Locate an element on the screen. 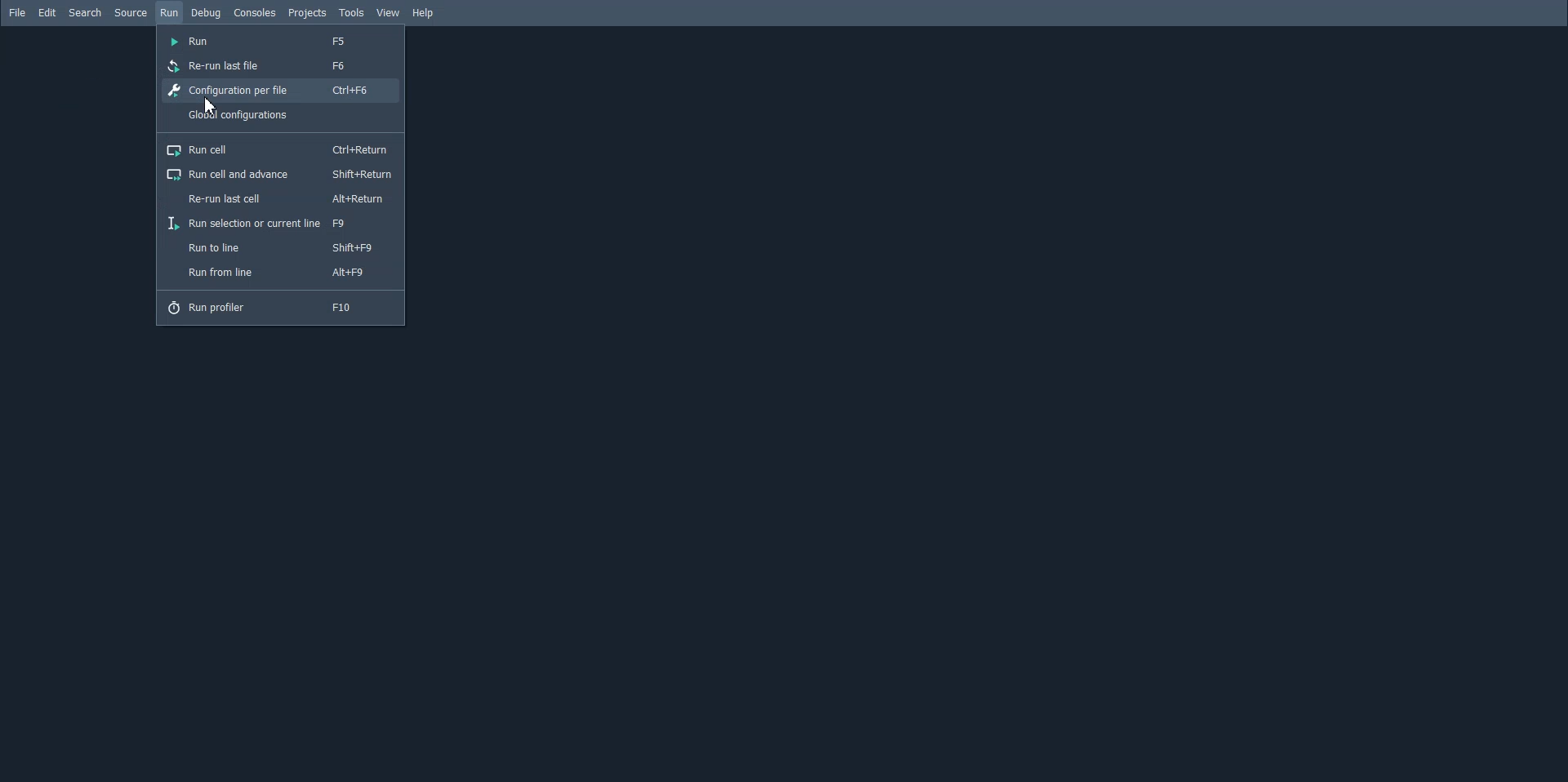 This screenshot has height=782, width=1568. Source is located at coordinates (129, 12).